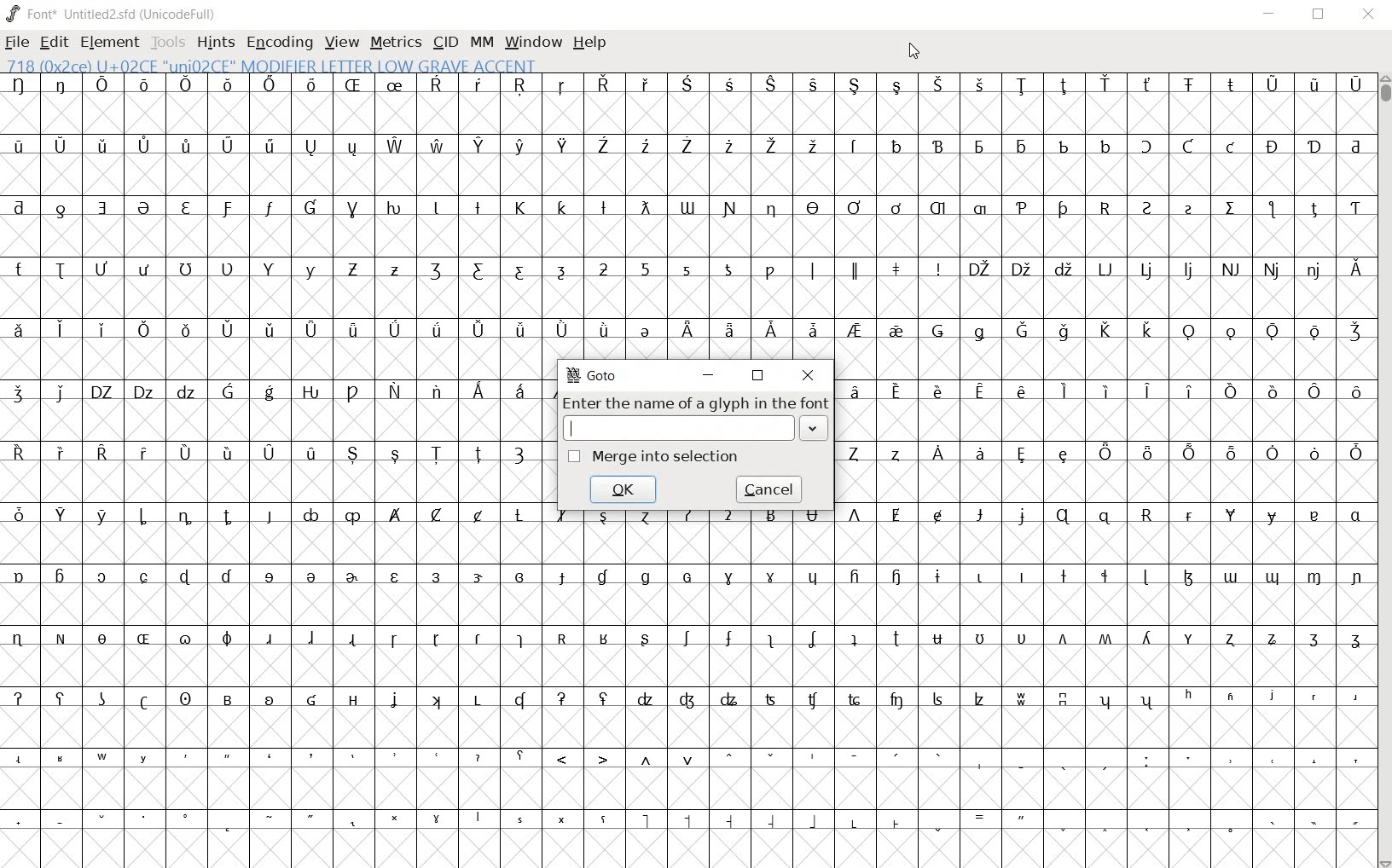 Image resolution: width=1392 pixels, height=868 pixels. Describe the element at coordinates (809, 374) in the screenshot. I see `close` at that location.